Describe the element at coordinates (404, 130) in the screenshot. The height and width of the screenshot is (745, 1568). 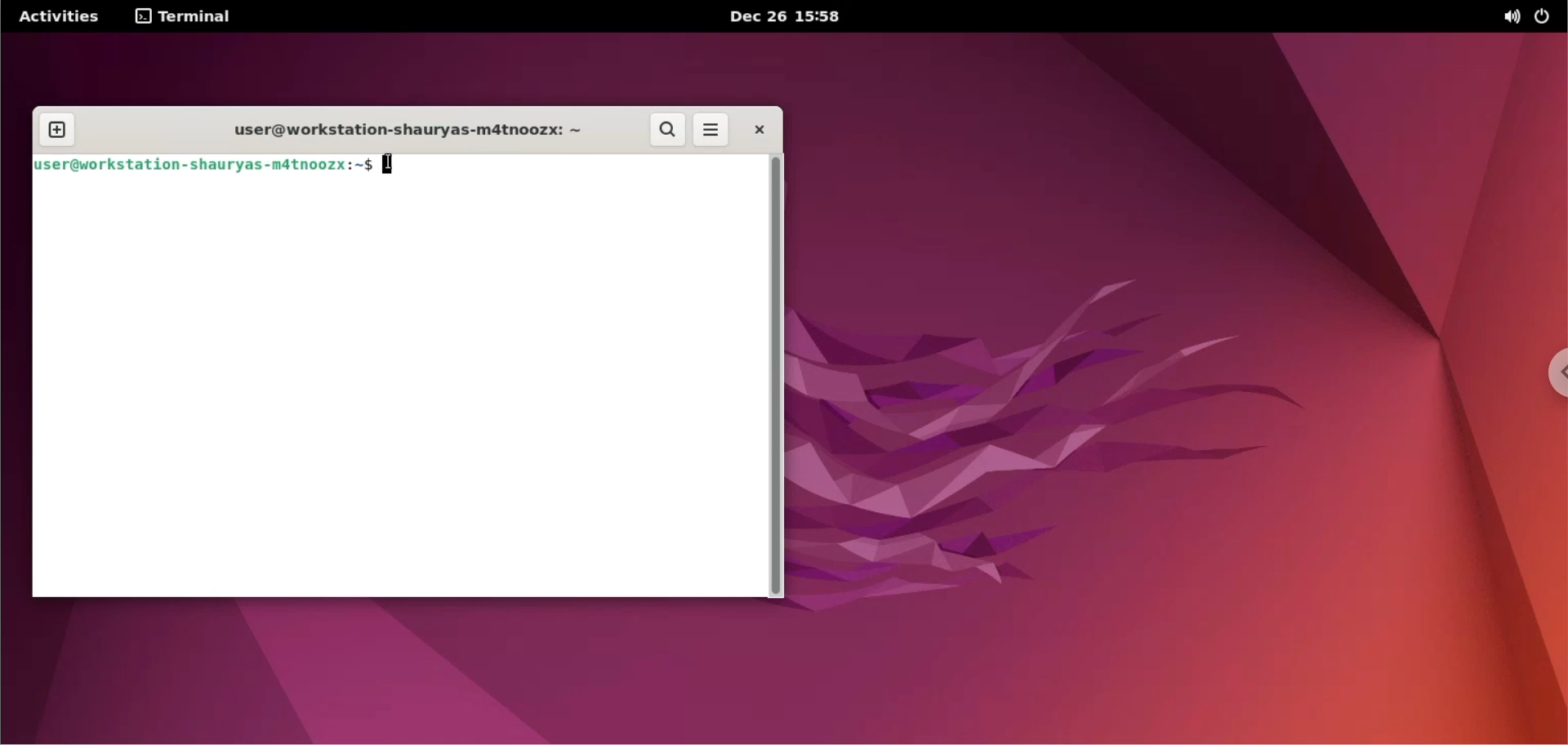
I see `user@workstation-shauryas-m4tnoozx: ~` at that location.